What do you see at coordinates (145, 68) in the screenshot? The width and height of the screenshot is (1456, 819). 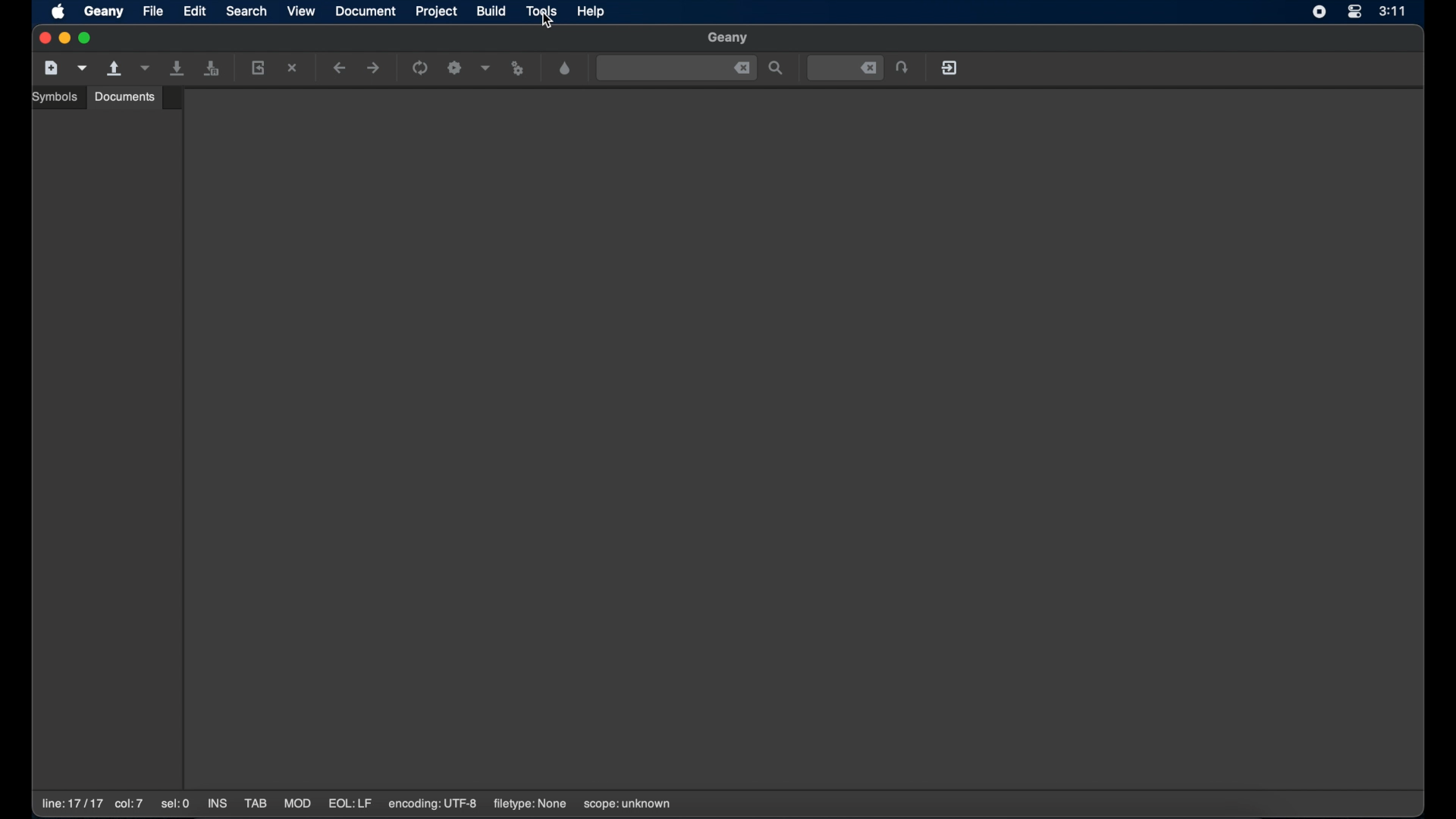 I see `open a recent file` at bounding box center [145, 68].